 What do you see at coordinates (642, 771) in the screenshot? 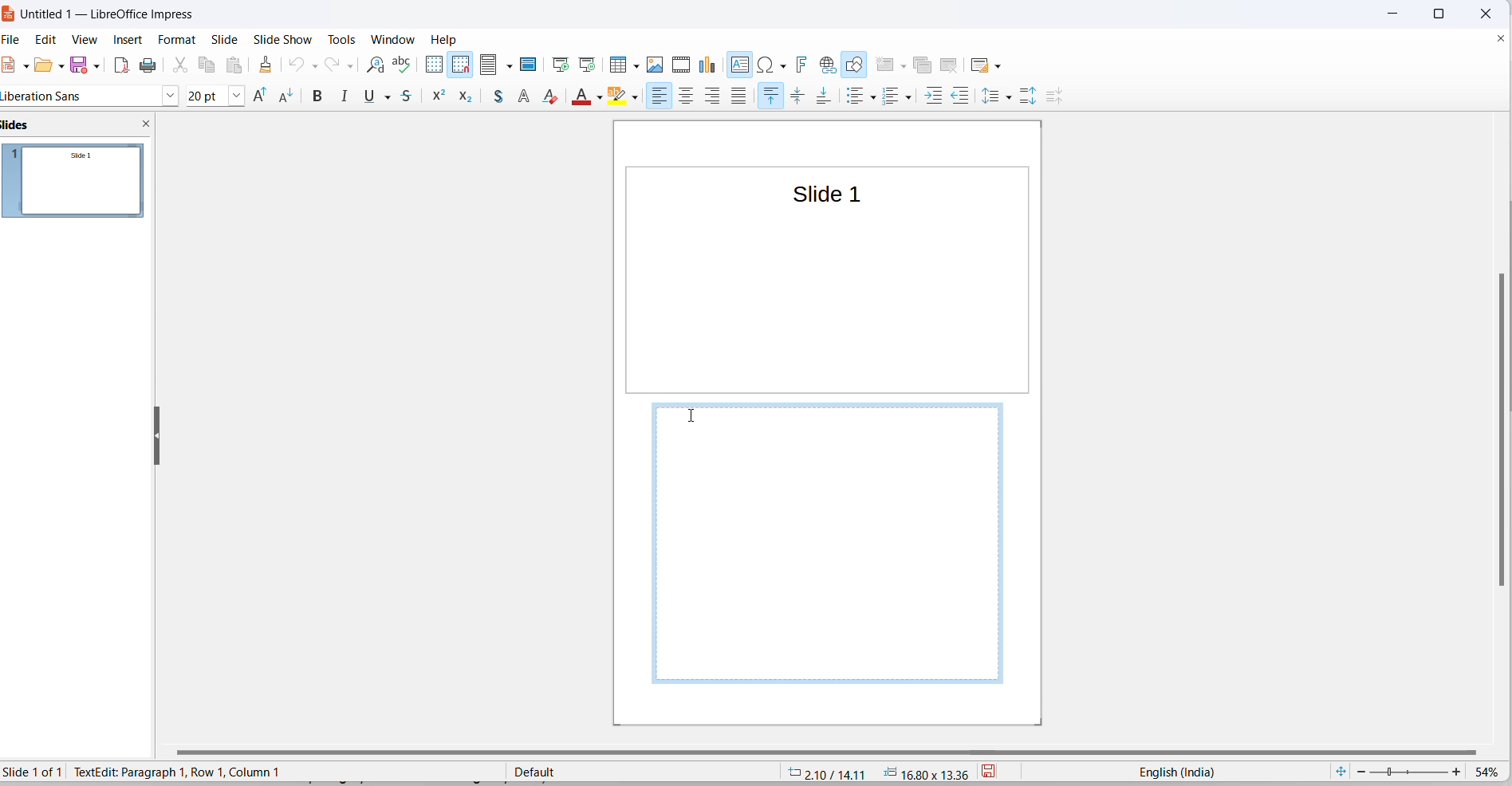
I see `slide master type` at bounding box center [642, 771].